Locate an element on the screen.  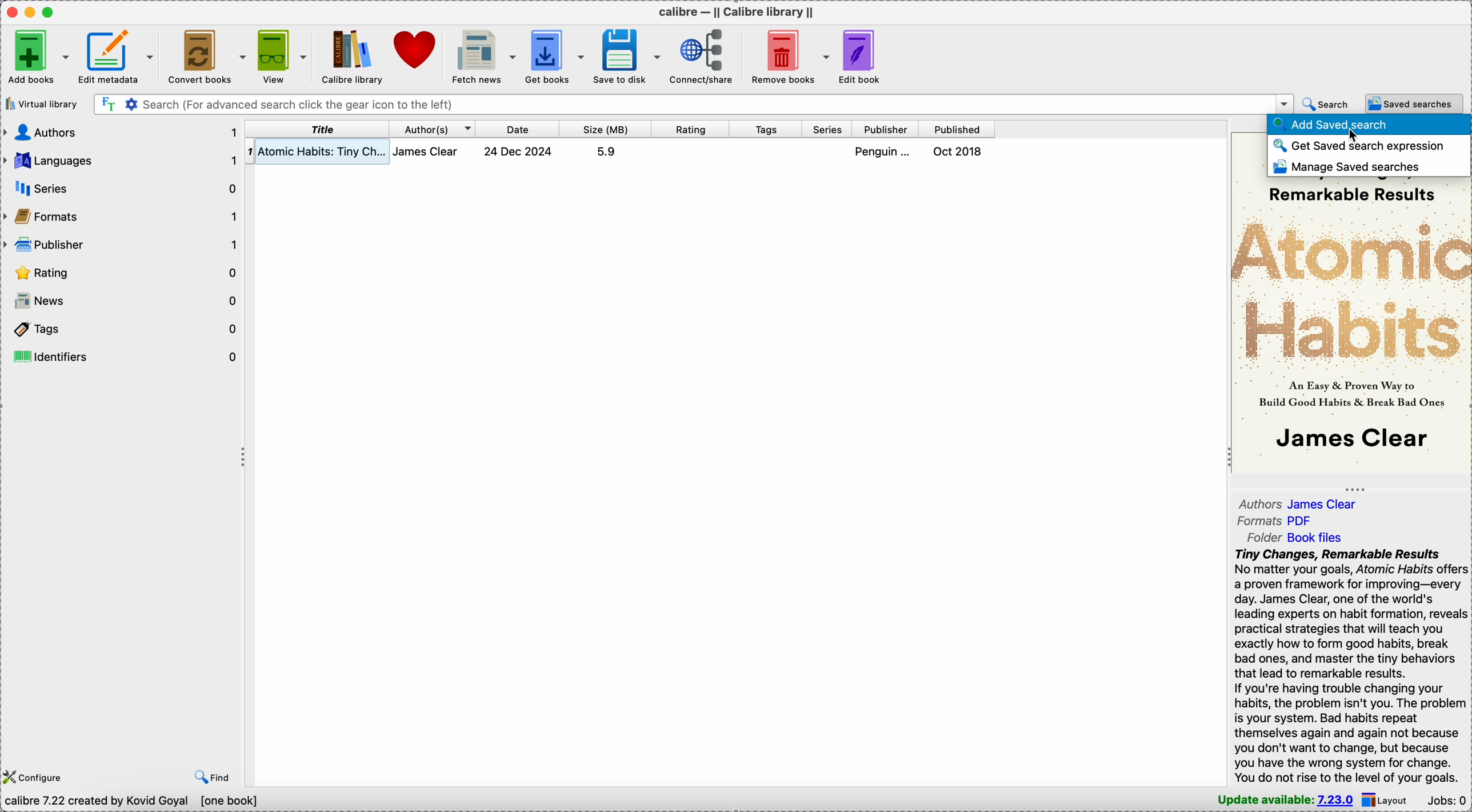
publisher is located at coordinates (887, 130).